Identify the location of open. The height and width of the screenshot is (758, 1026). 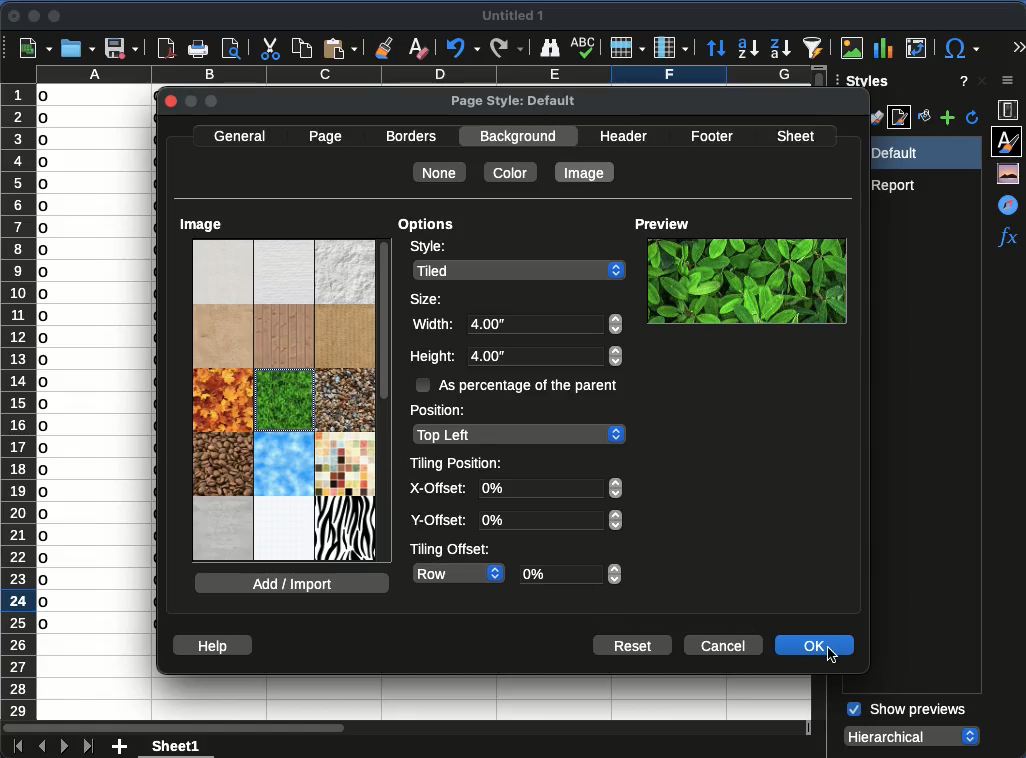
(77, 48).